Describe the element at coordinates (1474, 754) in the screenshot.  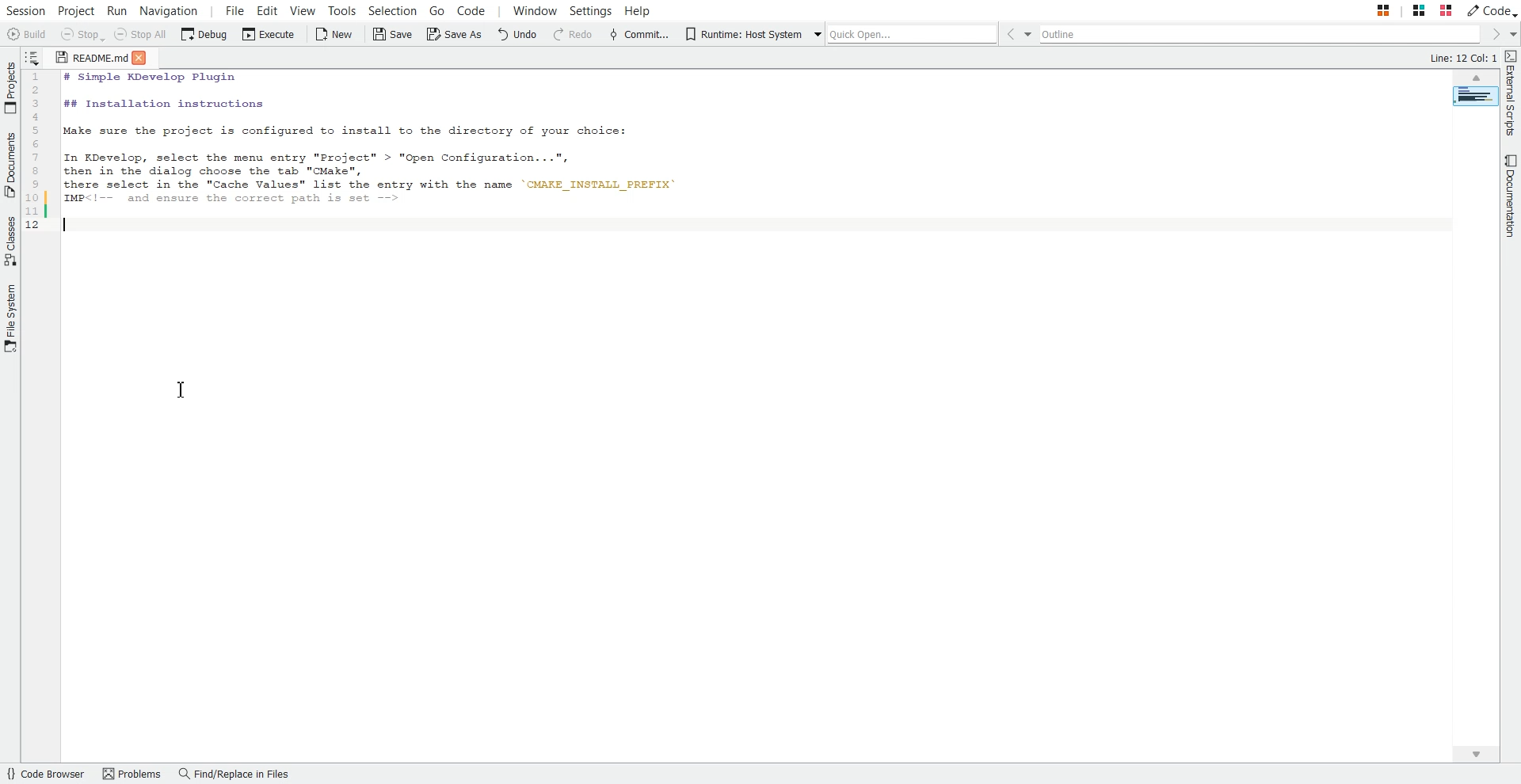
I see `Scroll down` at that location.